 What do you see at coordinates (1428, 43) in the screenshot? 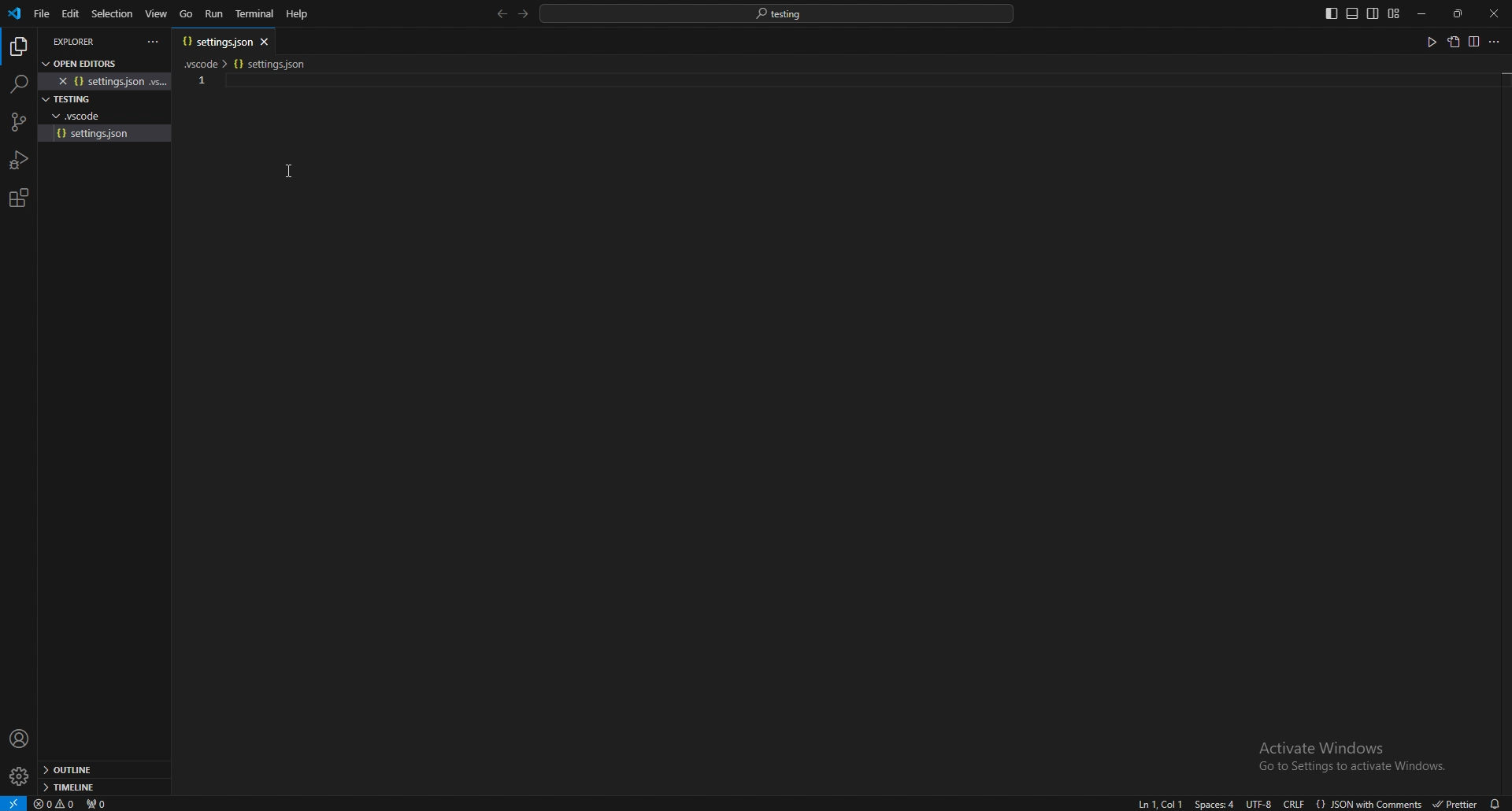
I see `run` at bounding box center [1428, 43].